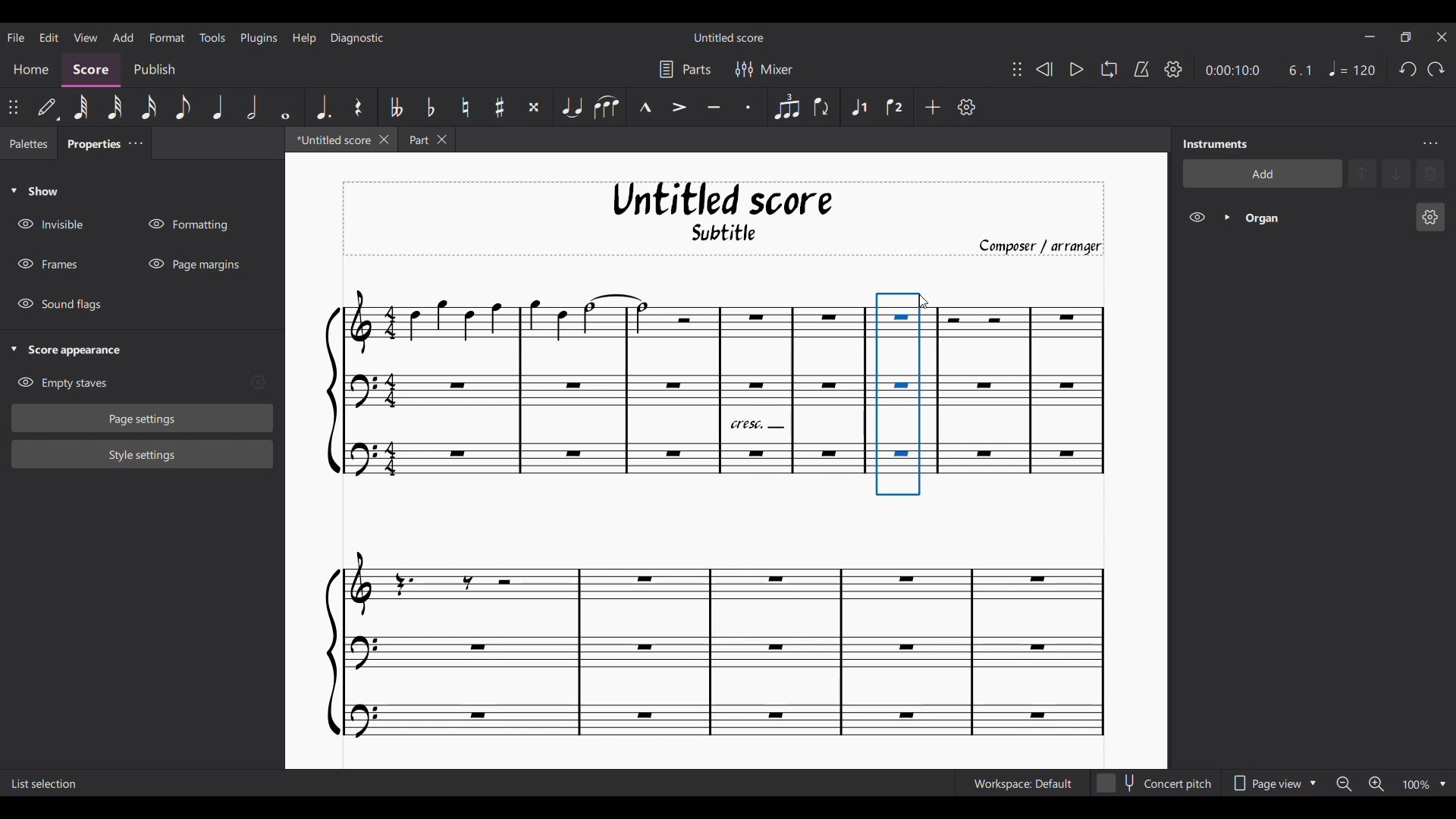 This screenshot has width=1456, height=819. Describe the element at coordinates (1396, 173) in the screenshot. I see `Move selection down` at that location.